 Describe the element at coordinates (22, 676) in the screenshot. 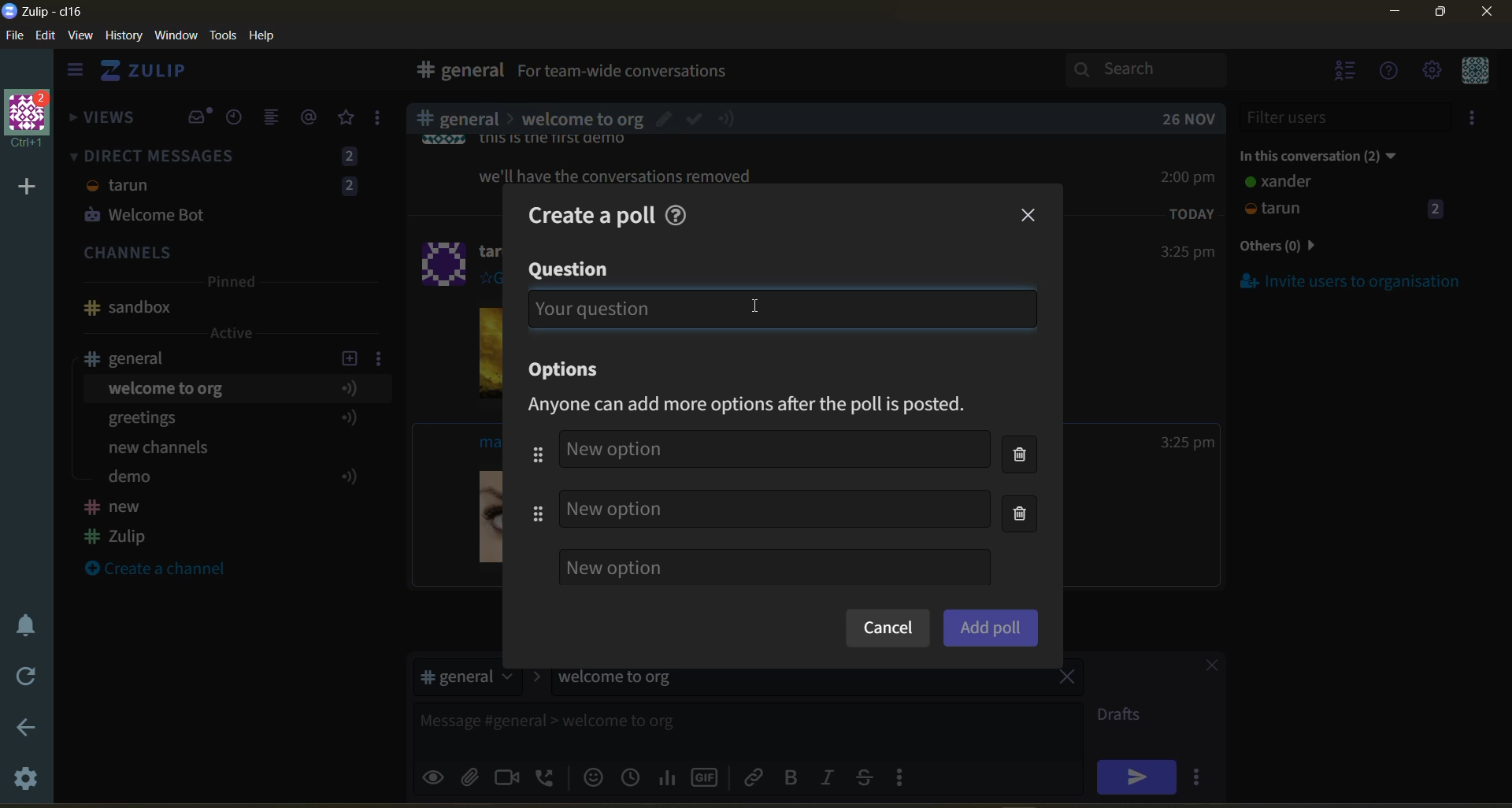

I see `reload` at that location.